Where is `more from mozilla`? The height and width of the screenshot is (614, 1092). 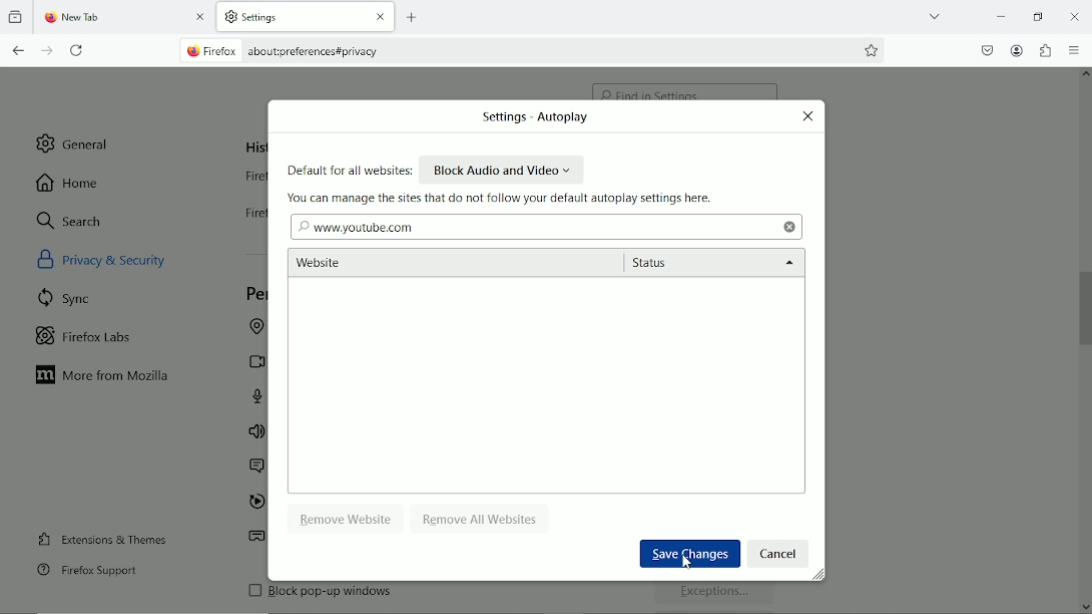 more from mozilla is located at coordinates (104, 376).